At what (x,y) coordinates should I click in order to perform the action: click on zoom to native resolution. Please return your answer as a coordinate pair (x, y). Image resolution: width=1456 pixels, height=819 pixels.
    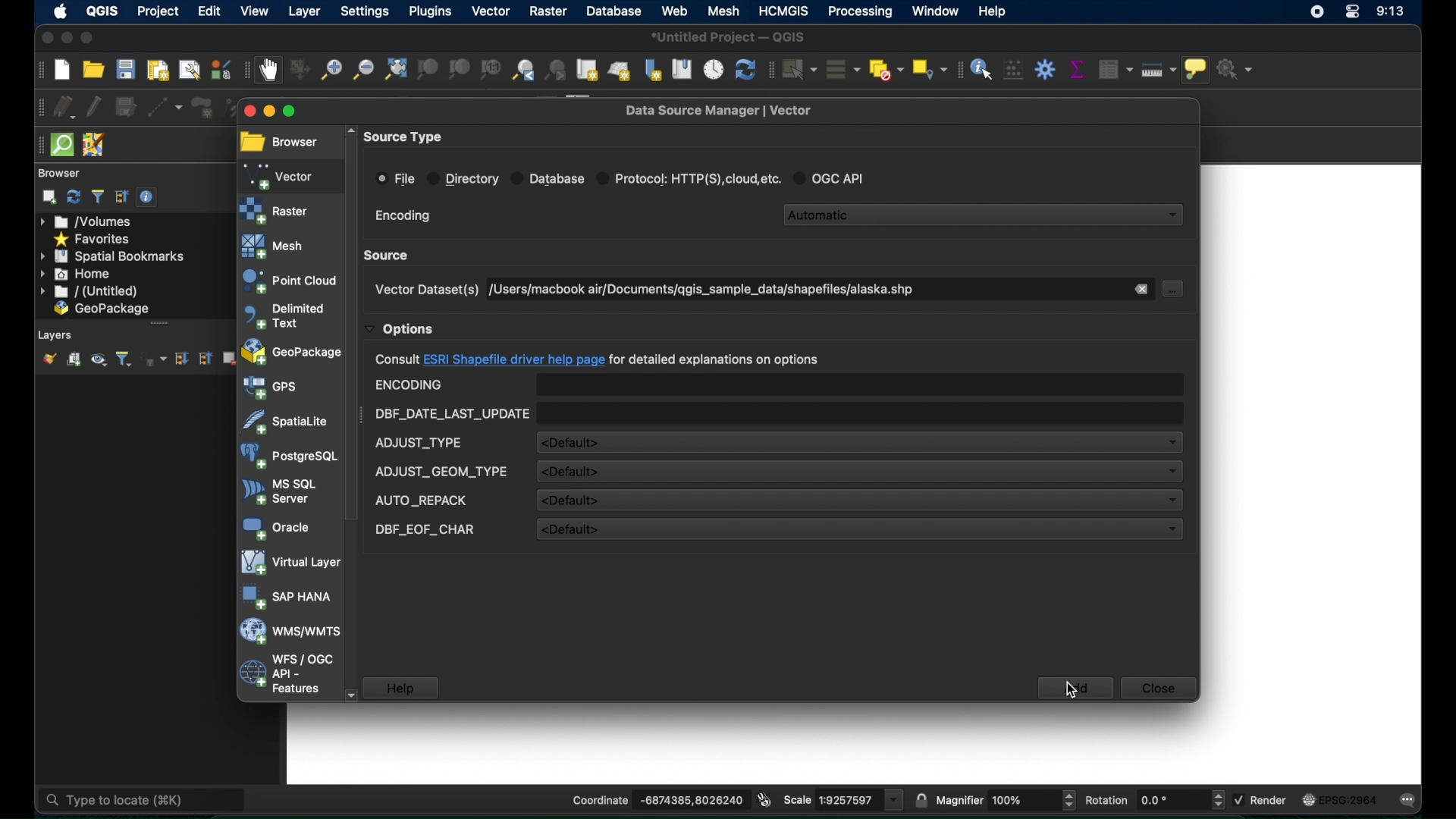
    Looking at the image, I should click on (490, 69).